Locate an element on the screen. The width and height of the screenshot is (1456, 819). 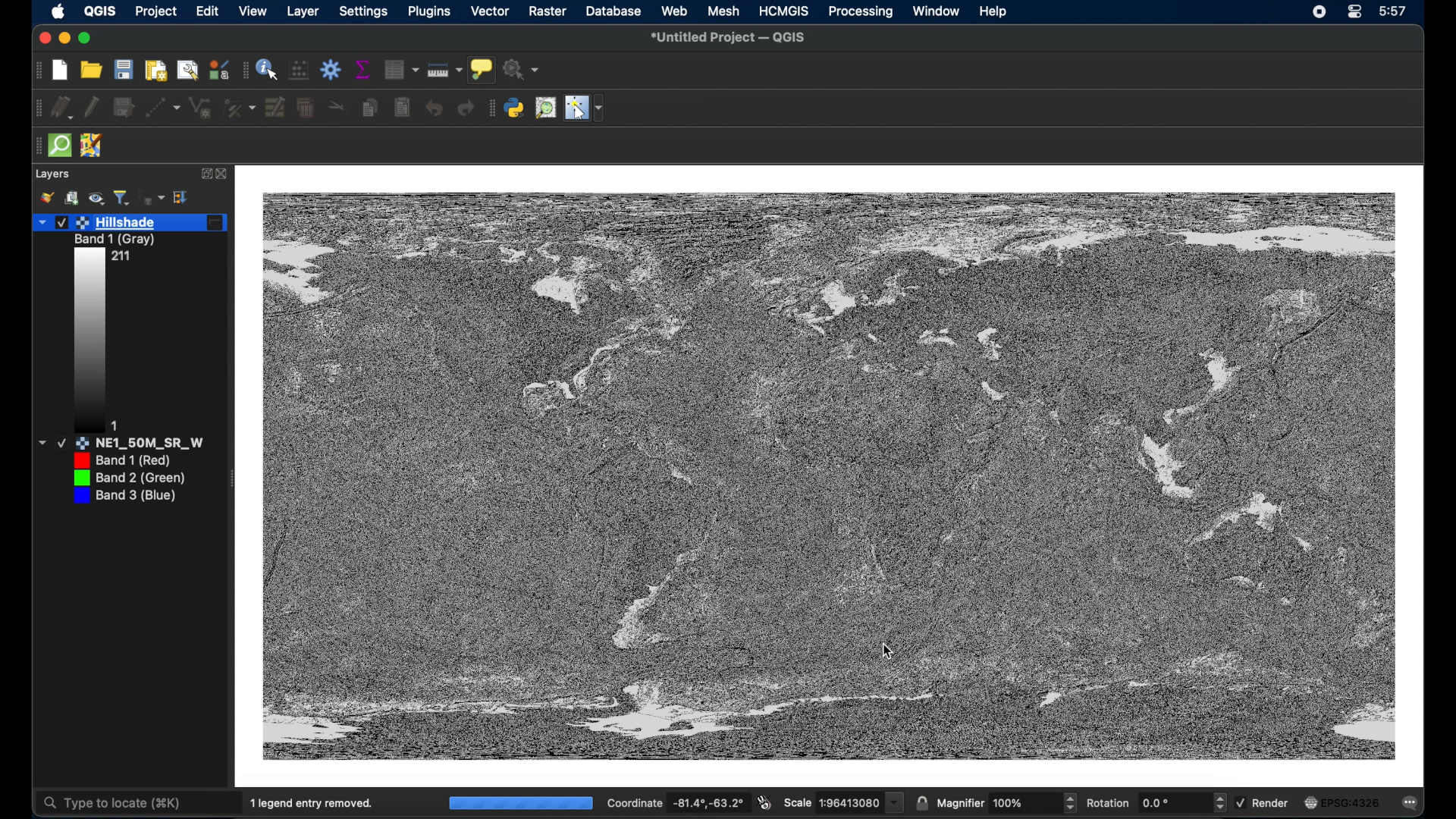
HCMGIS is located at coordinates (783, 11).